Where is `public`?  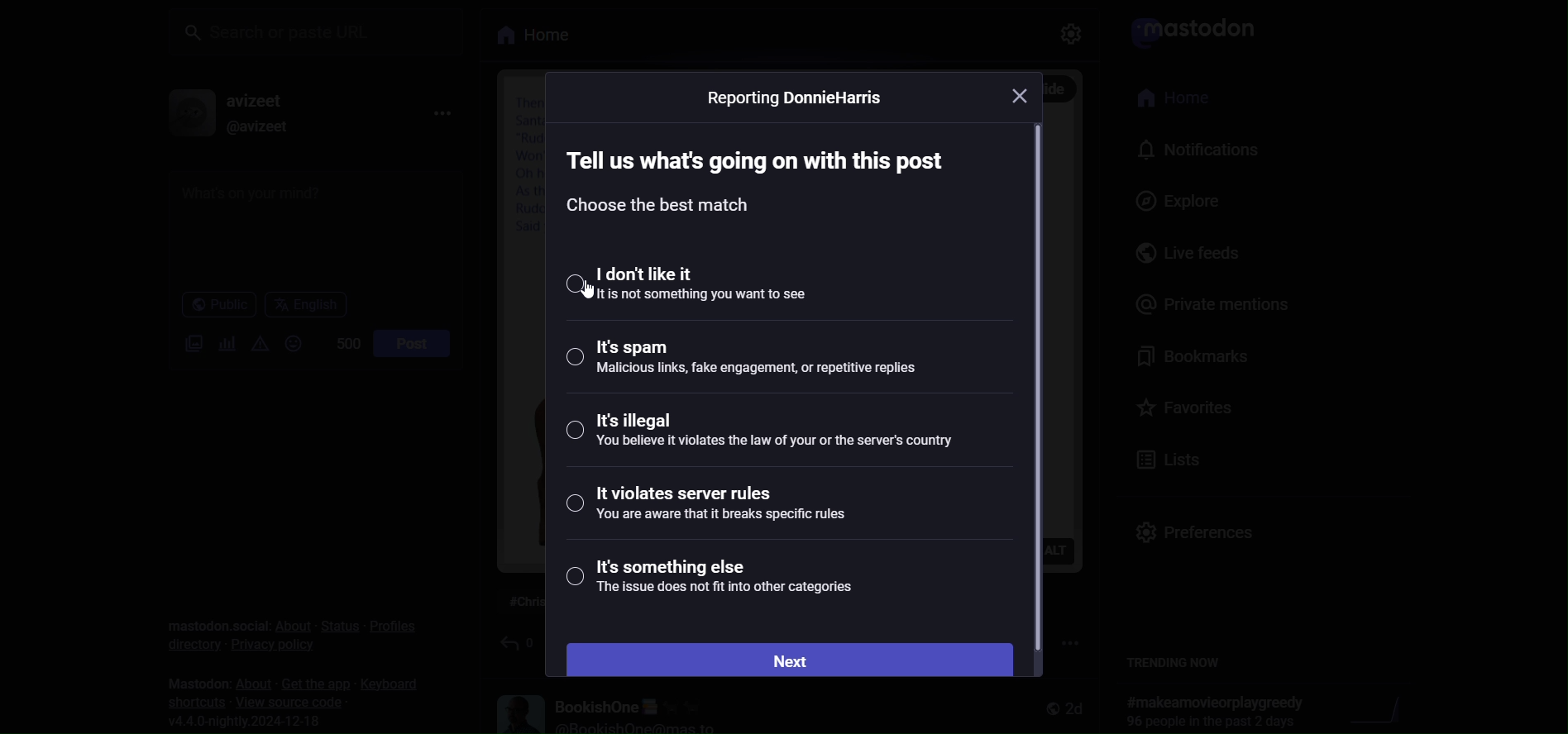 public is located at coordinates (210, 305).